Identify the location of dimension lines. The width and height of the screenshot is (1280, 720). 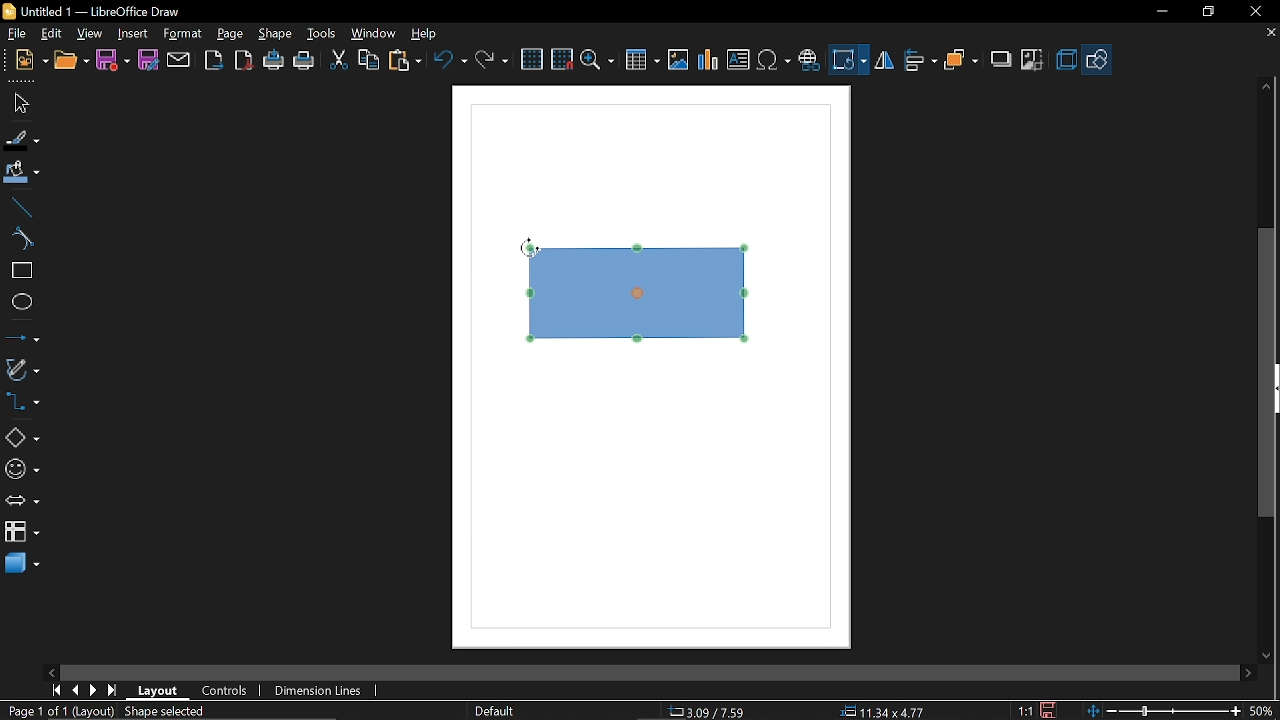
(318, 690).